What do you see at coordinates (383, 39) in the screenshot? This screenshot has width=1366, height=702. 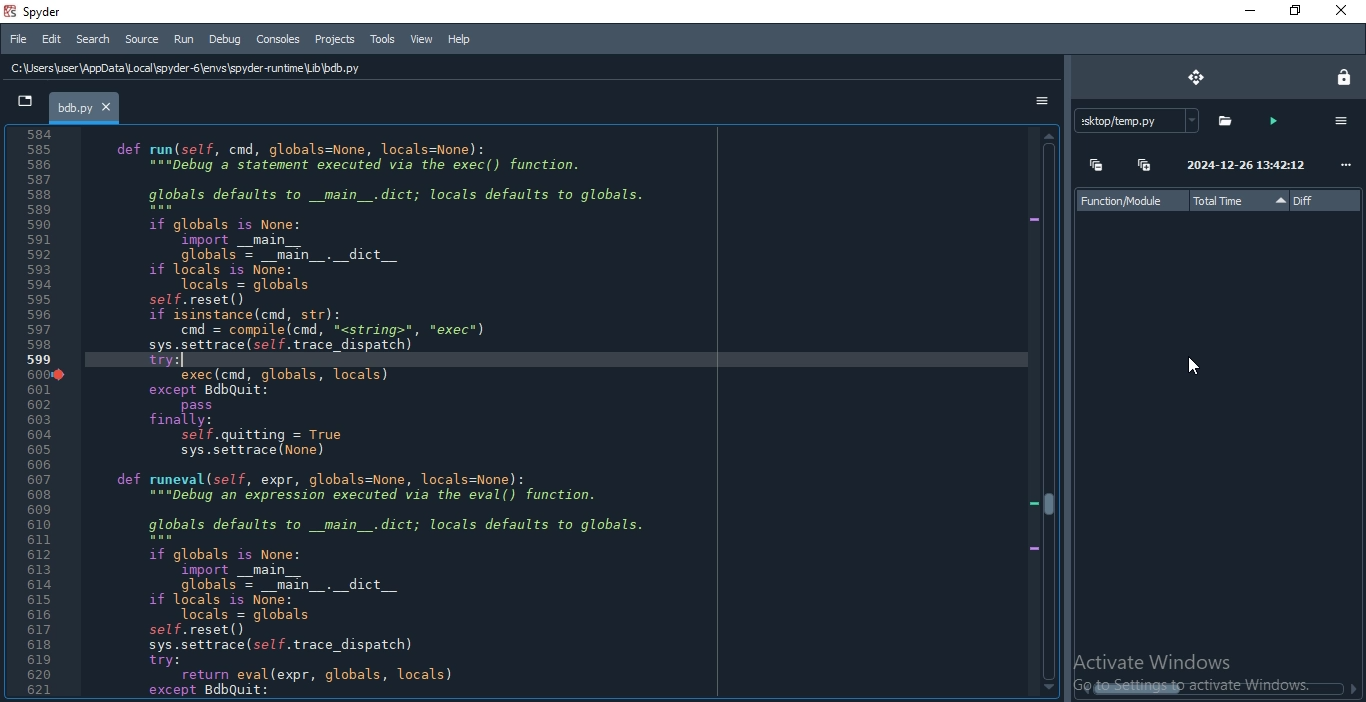 I see `Tools` at bounding box center [383, 39].